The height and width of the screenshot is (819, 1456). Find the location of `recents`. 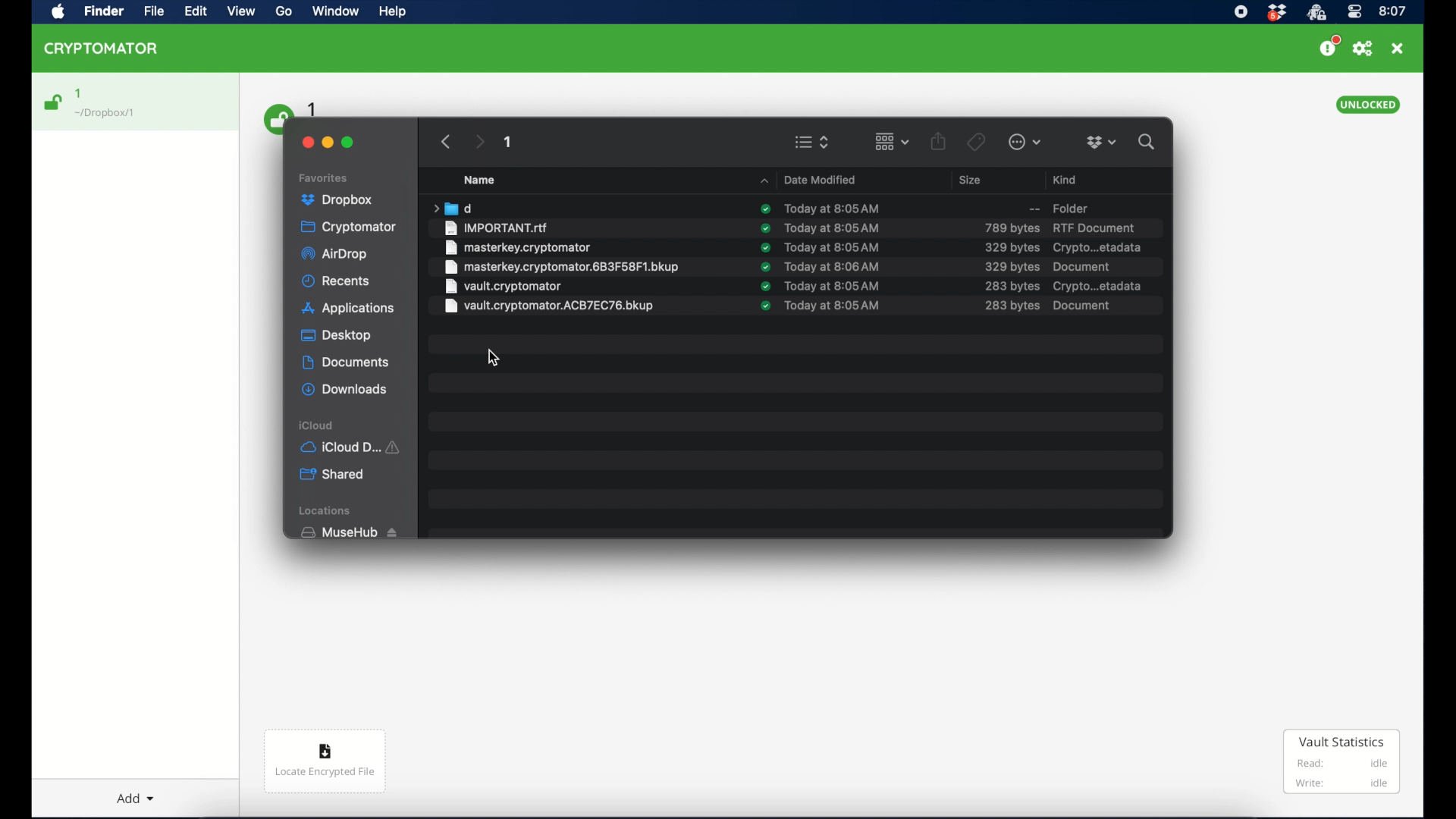

recents is located at coordinates (337, 281).